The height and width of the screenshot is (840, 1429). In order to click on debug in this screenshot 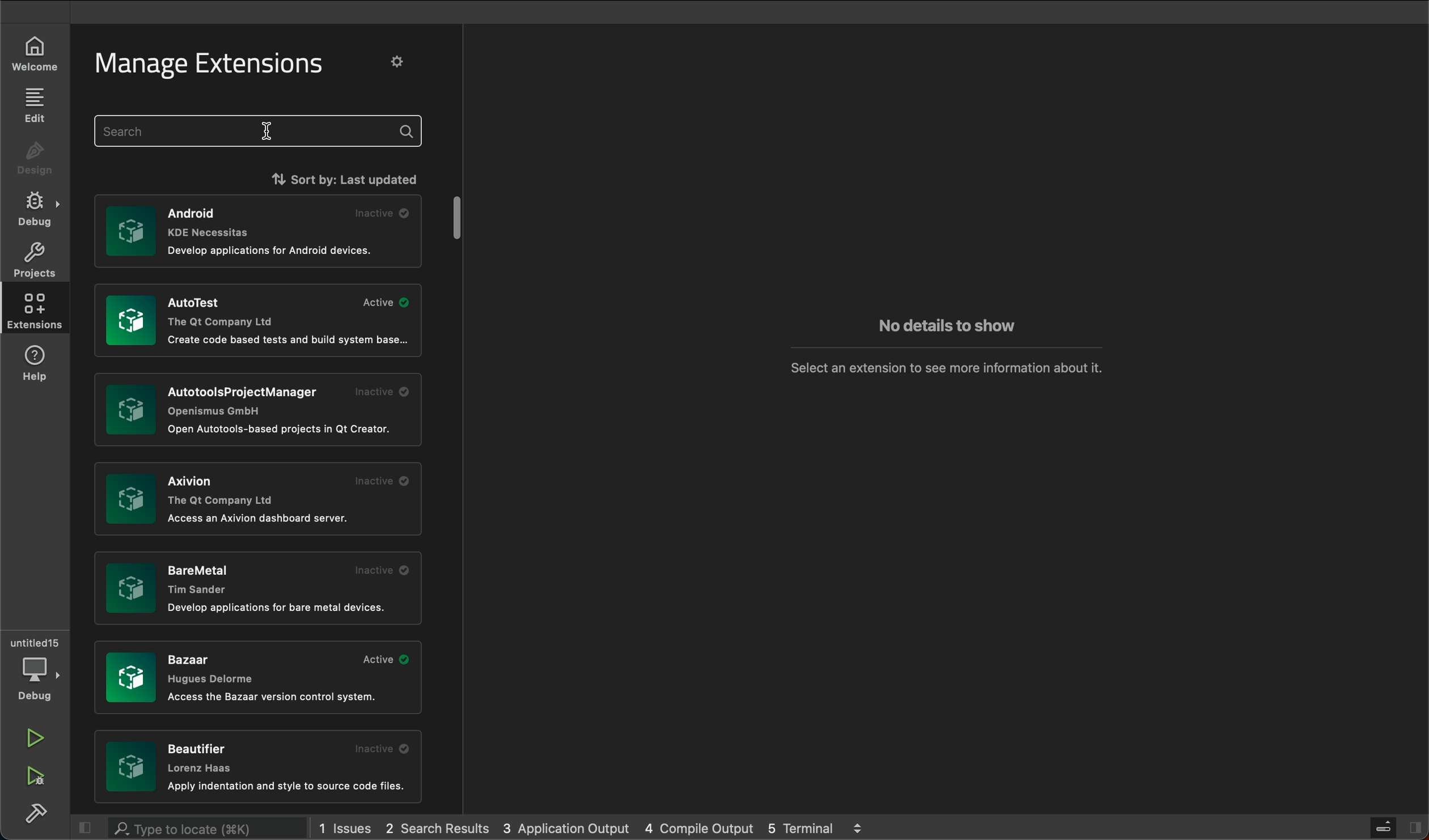, I will do `click(38, 209)`.